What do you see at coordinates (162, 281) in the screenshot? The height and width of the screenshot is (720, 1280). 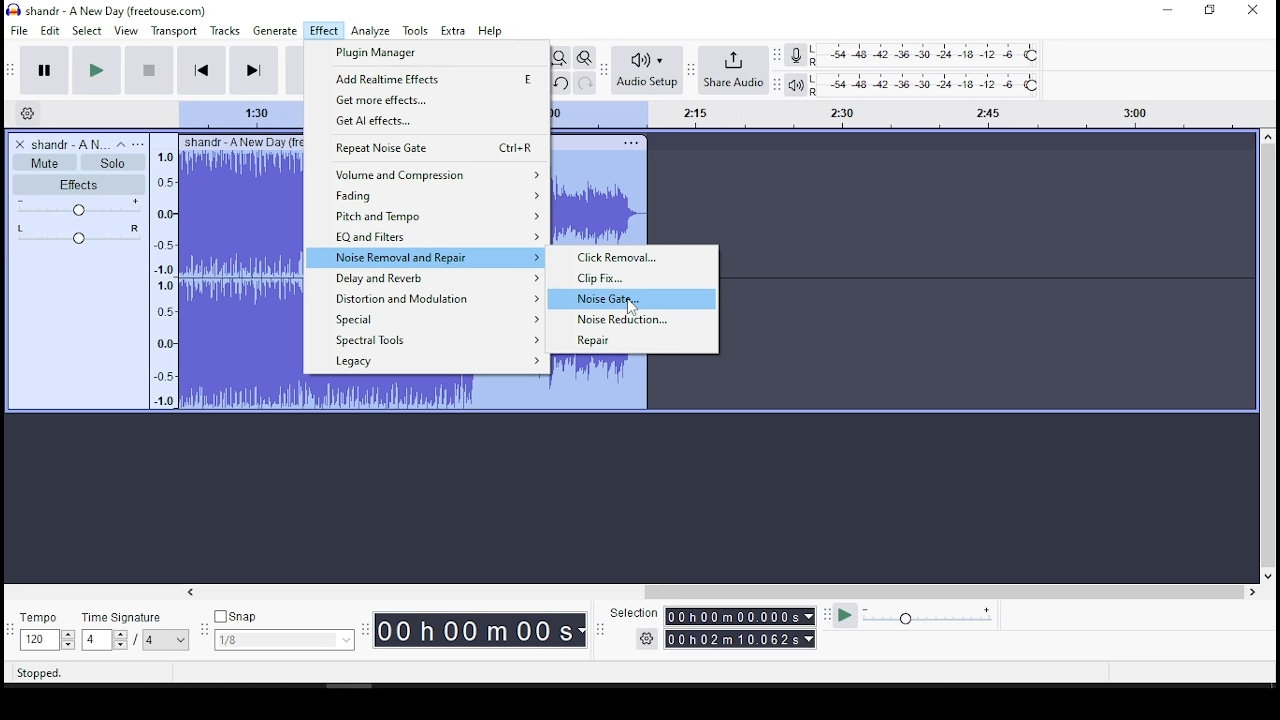 I see `frequency scale` at bounding box center [162, 281].